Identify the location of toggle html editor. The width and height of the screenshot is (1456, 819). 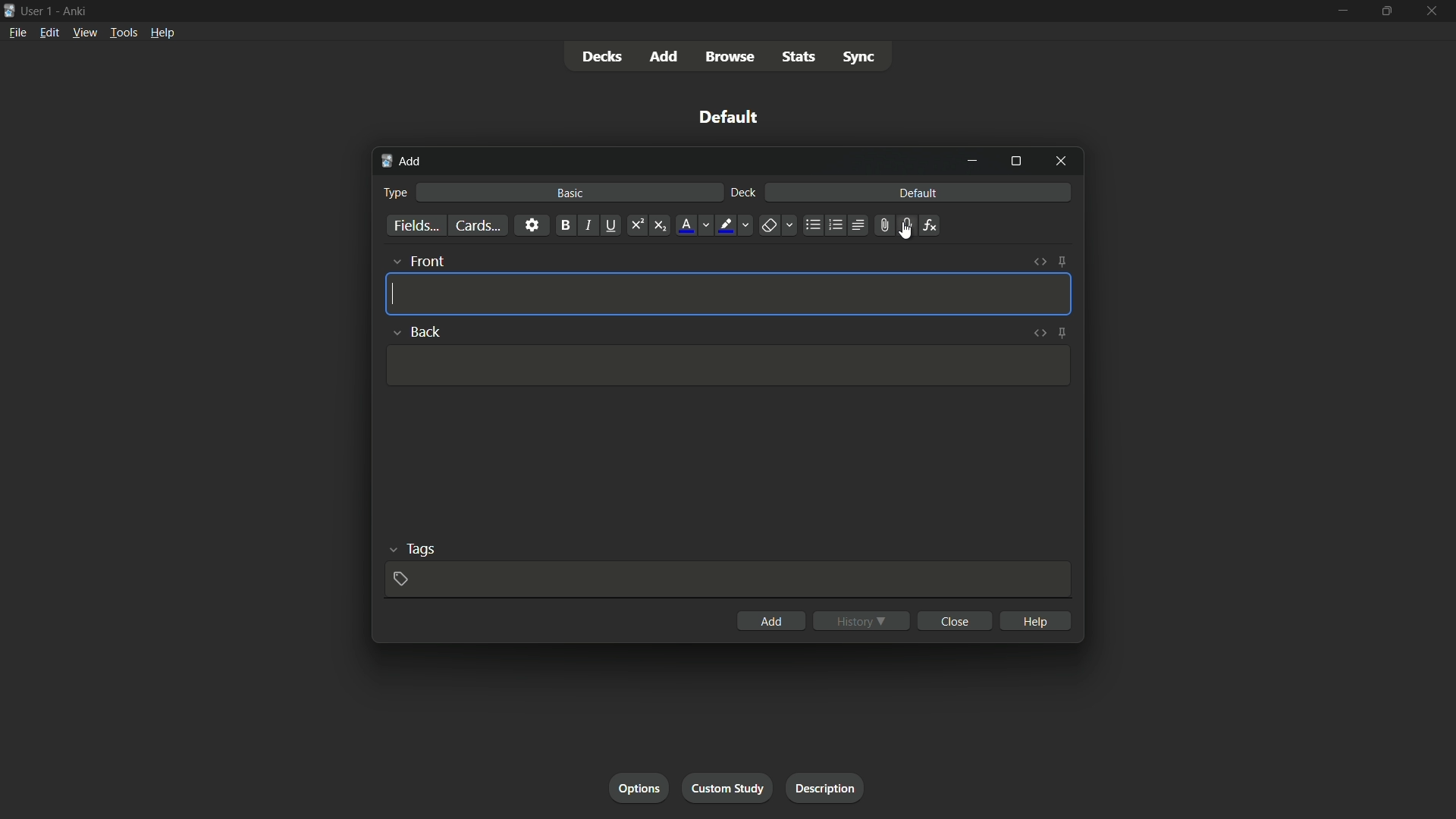
(1040, 263).